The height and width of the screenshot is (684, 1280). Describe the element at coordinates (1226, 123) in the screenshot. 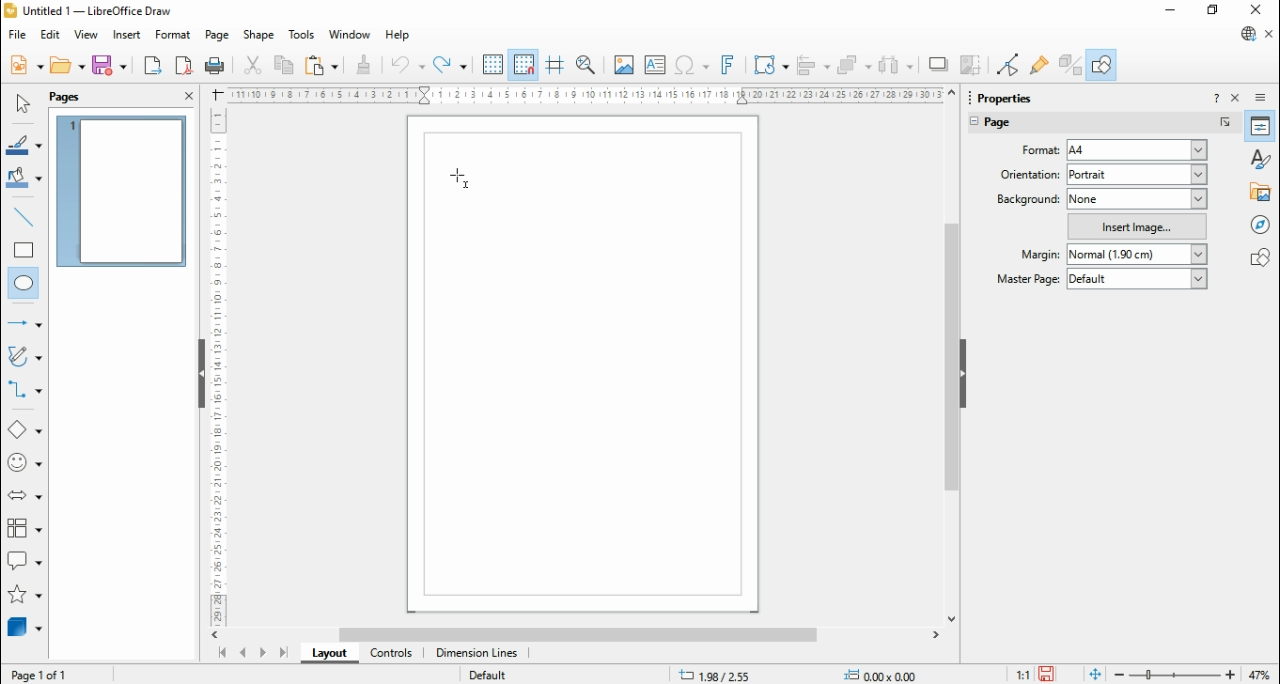

I see `more options` at that location.